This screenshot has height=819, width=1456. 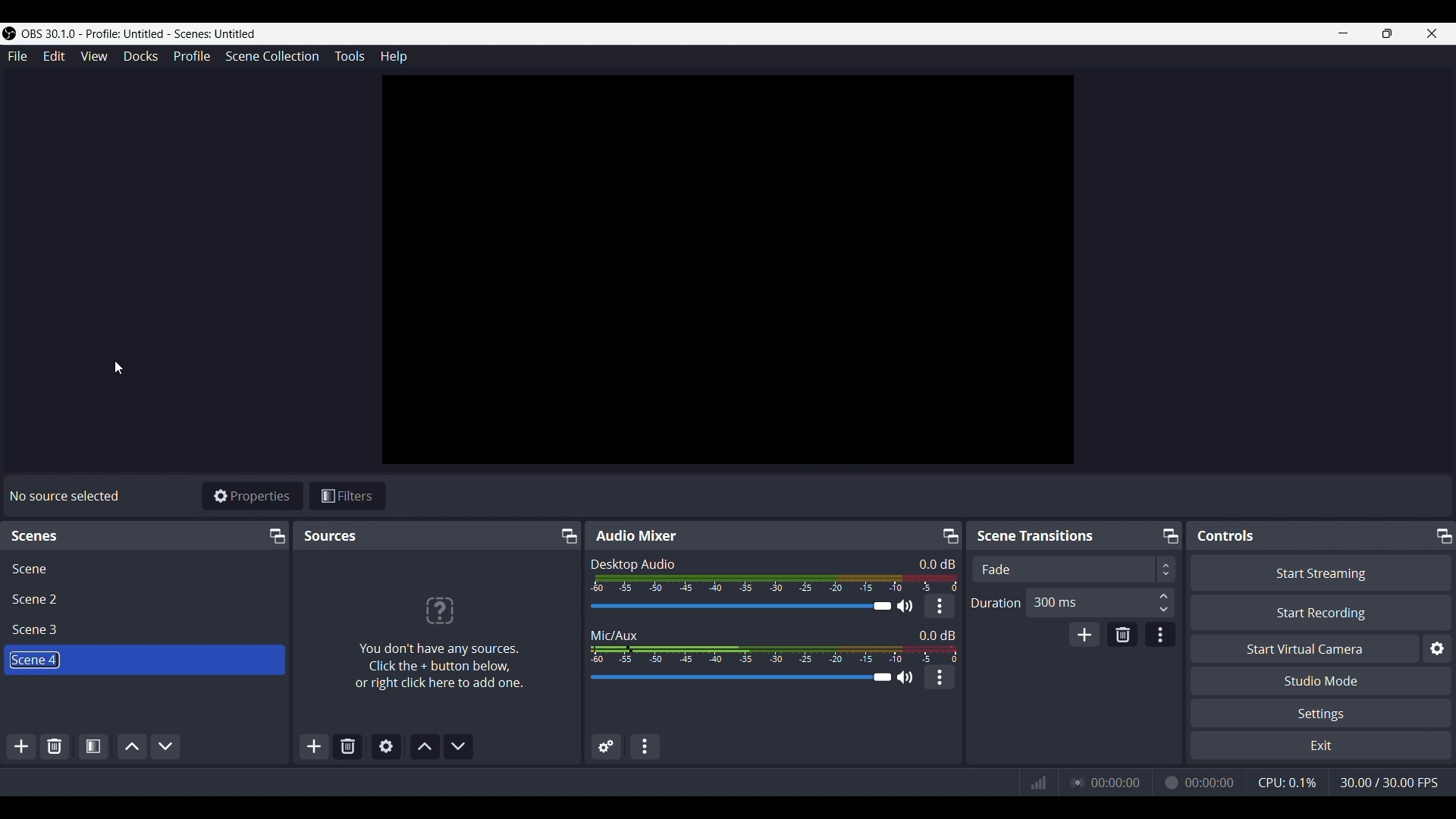 I want to click on Sources, so click(x=331, y=535).